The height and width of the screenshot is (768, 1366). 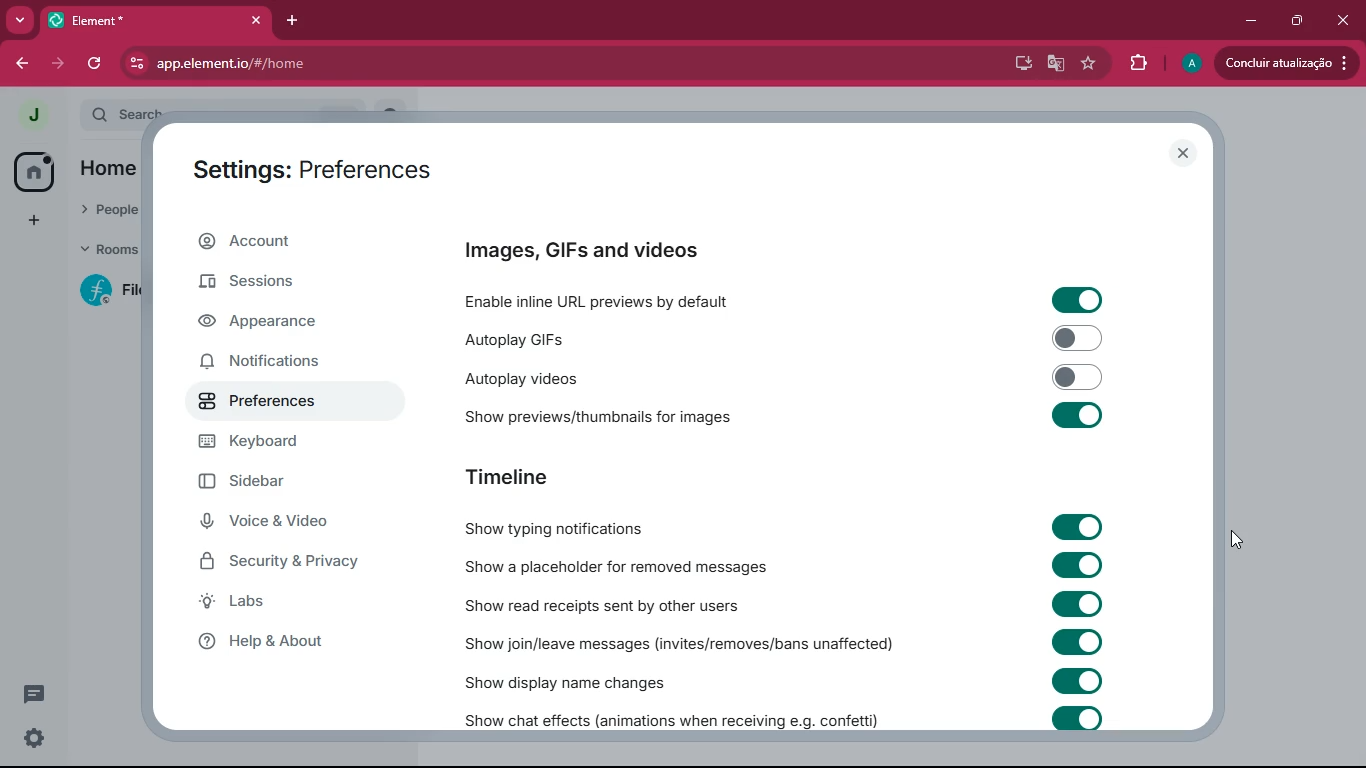 What do you see at coordinates (1053, 65) in the screenshot?
I see `google translate` at bounding box center [1053, 65].